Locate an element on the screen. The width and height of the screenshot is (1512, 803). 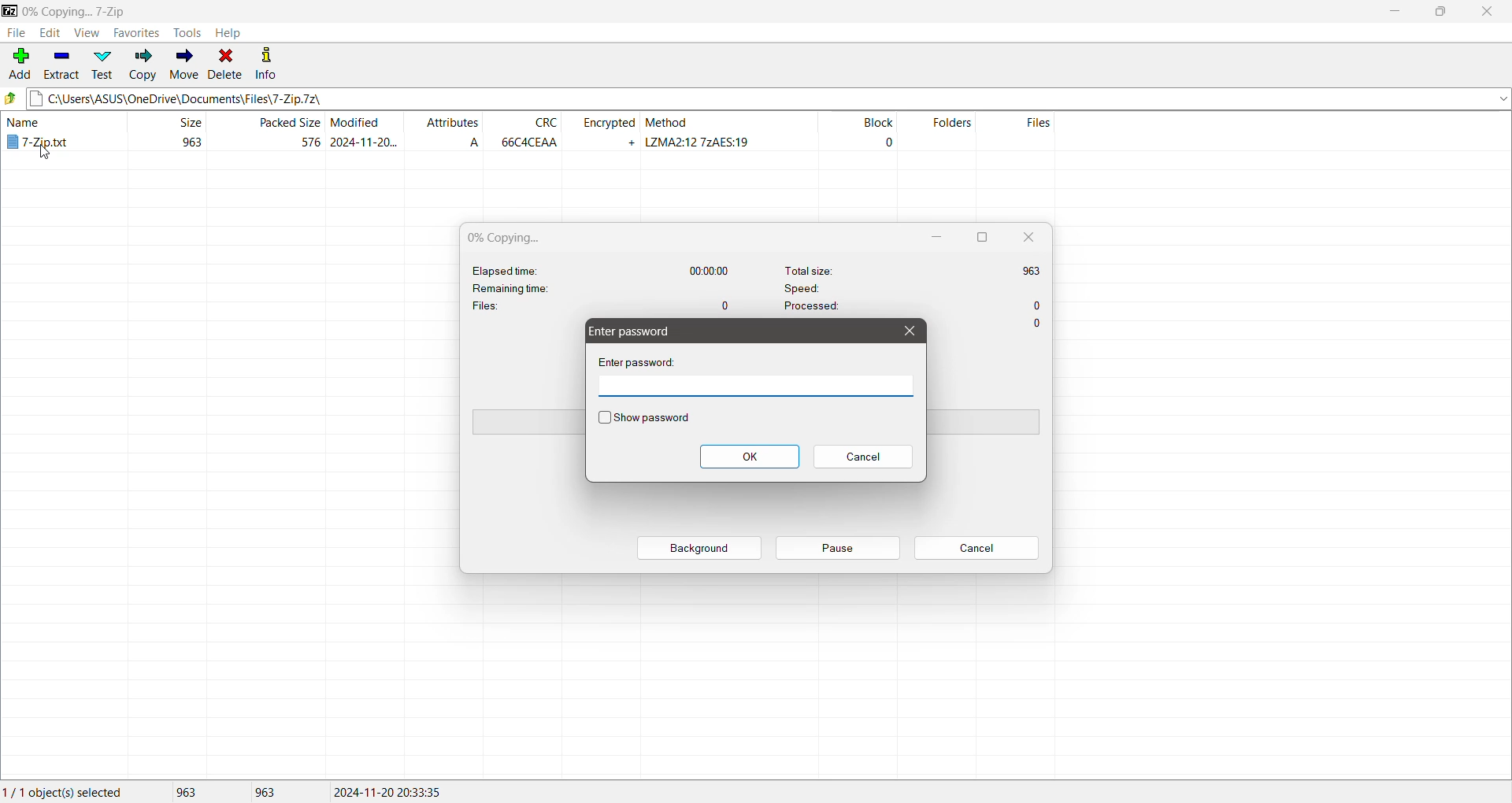
Current Folder Path is located at coordinates (242, 9).